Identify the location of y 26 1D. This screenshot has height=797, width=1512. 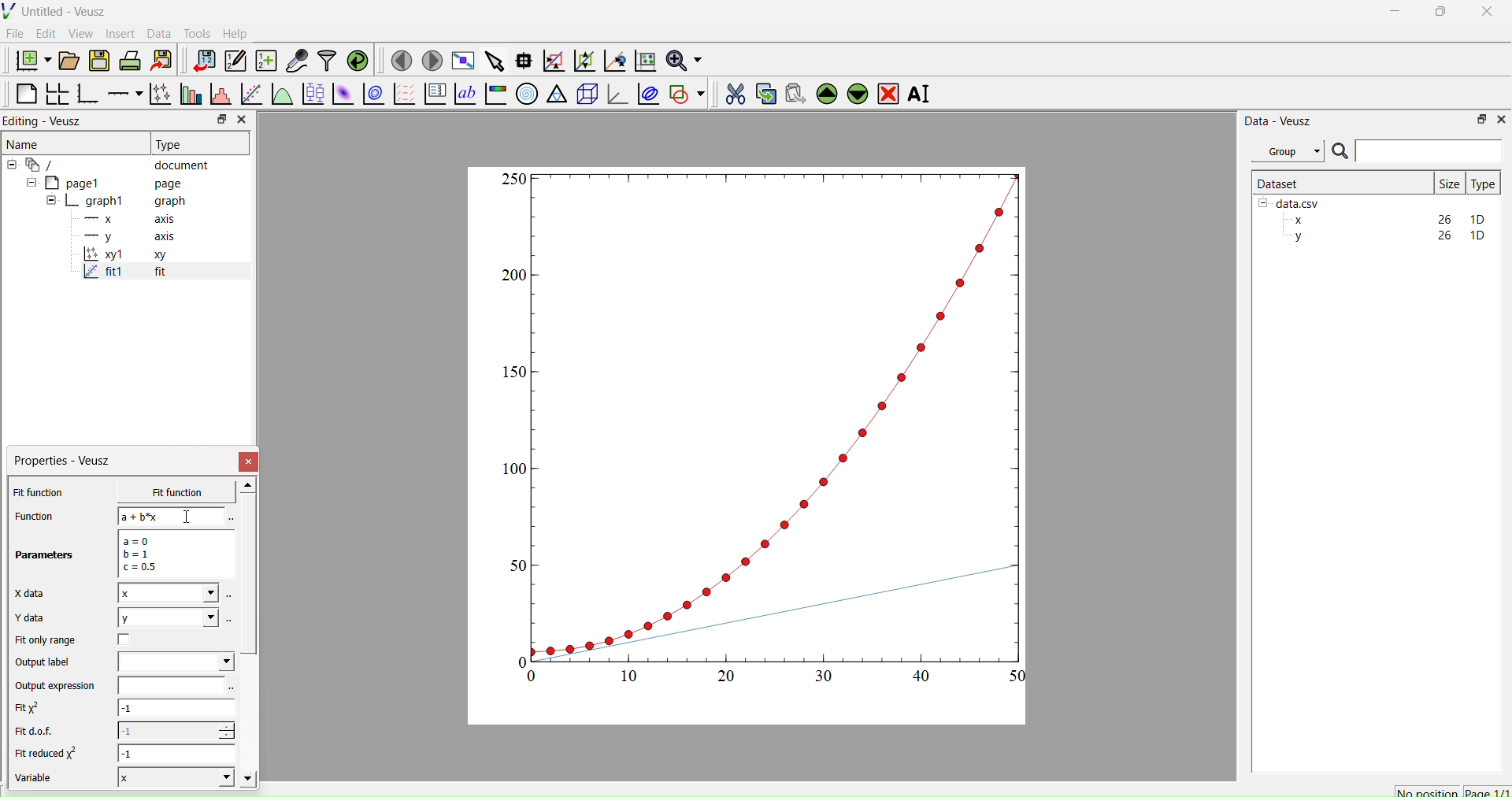
(1385, 235).